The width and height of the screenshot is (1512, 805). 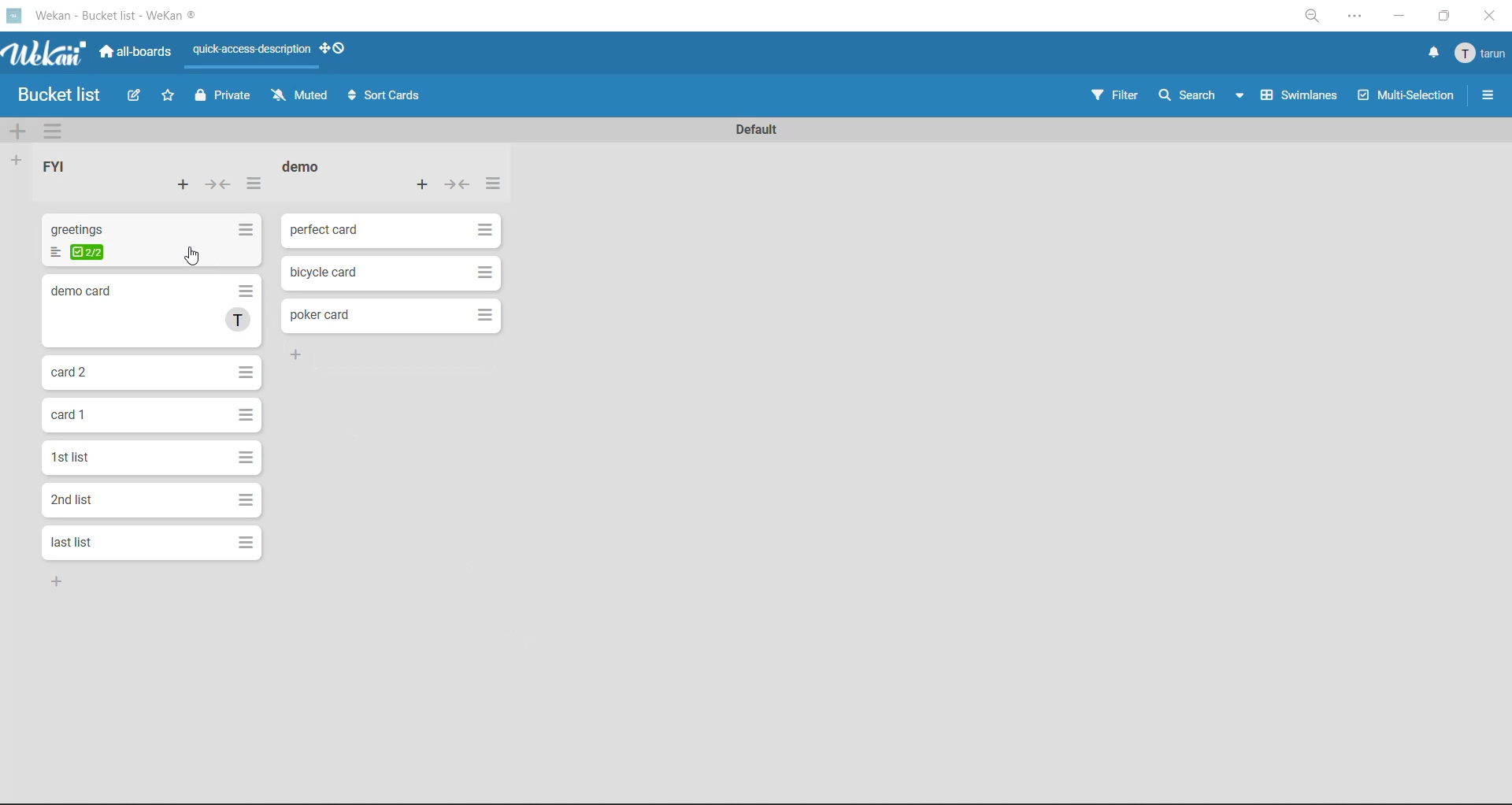 What do you see at coordinates (428, 185) in the screenshot?
I see `add card` at bounding box center [428, 185].